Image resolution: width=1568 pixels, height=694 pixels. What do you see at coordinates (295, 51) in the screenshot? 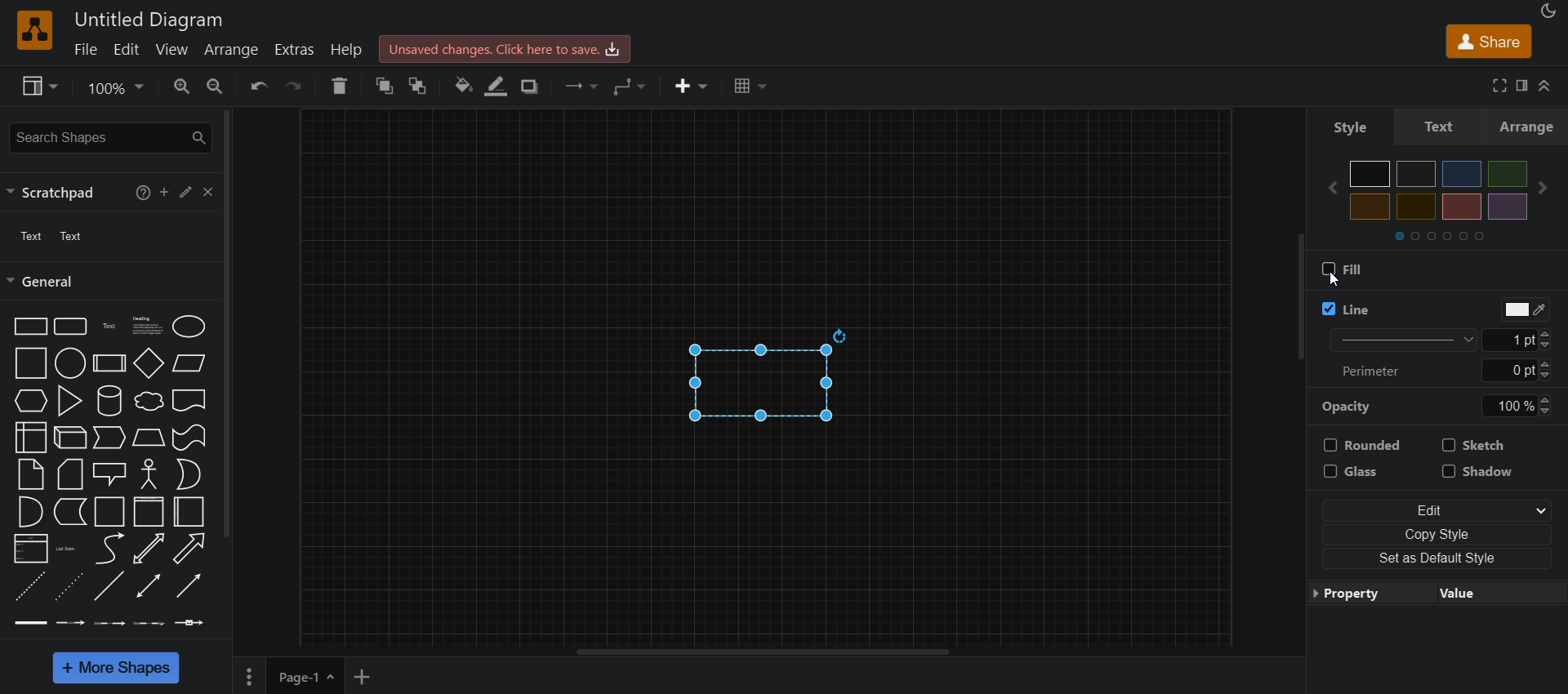
I see `extras` at bounding box center [295, 51].